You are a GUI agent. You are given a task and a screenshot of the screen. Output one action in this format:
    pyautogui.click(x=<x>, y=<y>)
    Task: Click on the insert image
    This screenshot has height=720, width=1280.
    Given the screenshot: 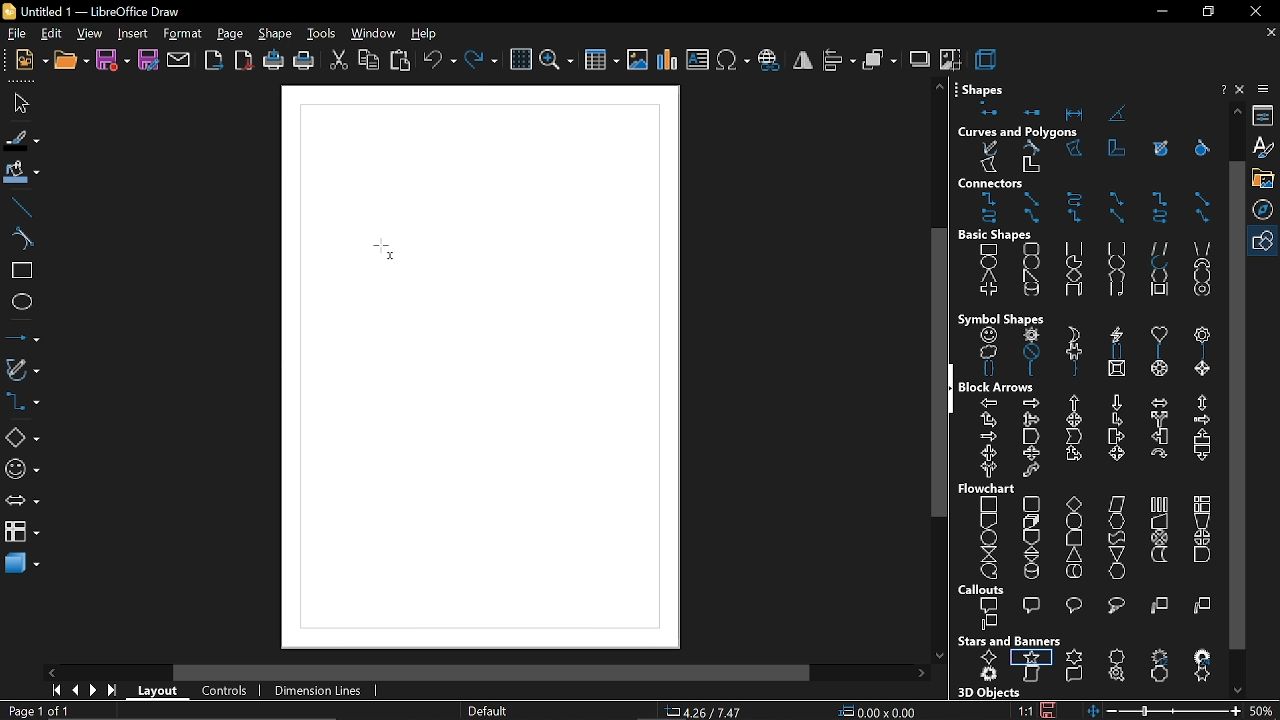 What is the action you would take?
    pyautogui.click(x=638, y=60)
    